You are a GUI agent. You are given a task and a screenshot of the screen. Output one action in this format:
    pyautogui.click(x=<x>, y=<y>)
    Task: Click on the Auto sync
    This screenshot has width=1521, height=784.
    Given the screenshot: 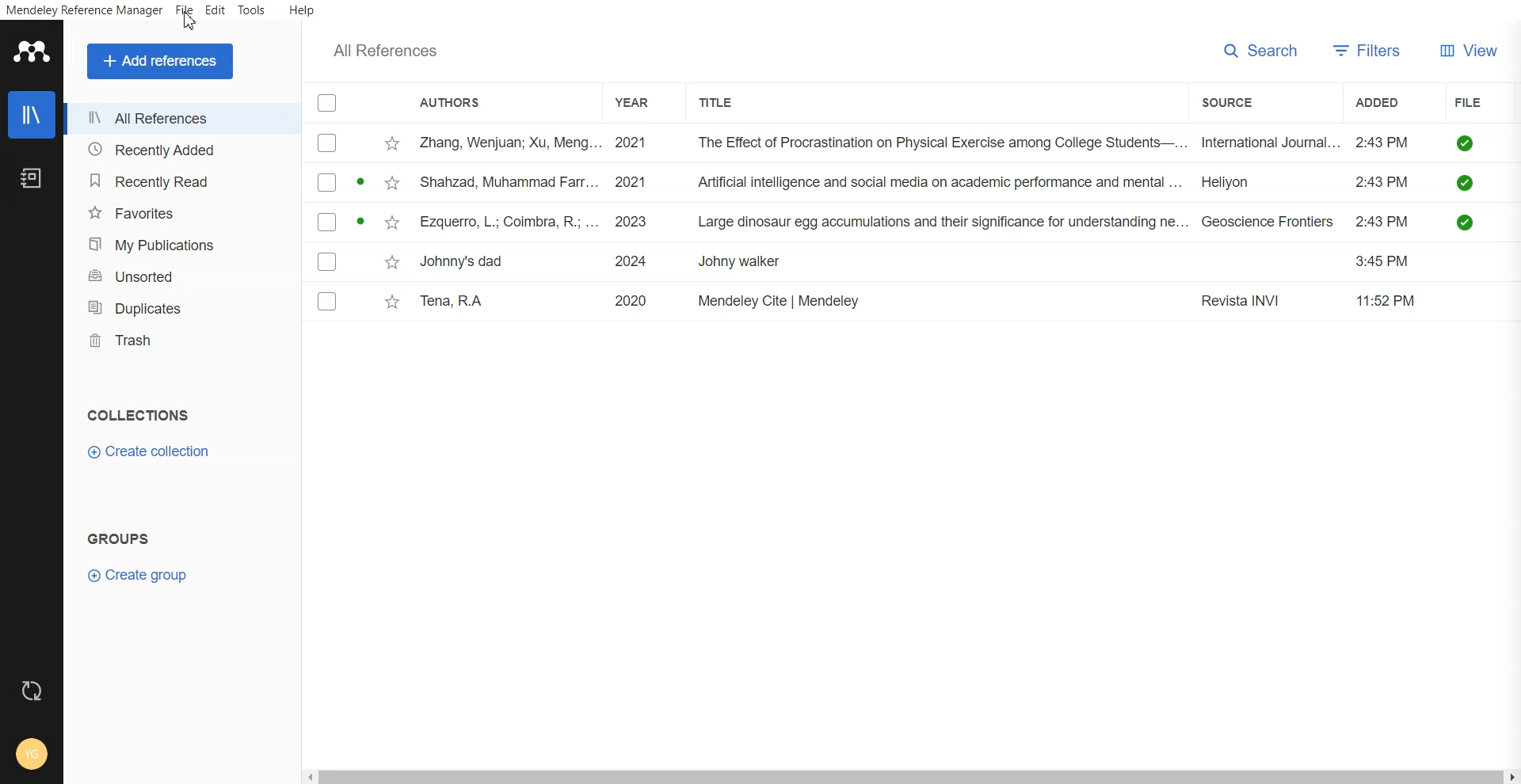 What is the action you would take?
    pyautogui.click(x=32, y=691)
    